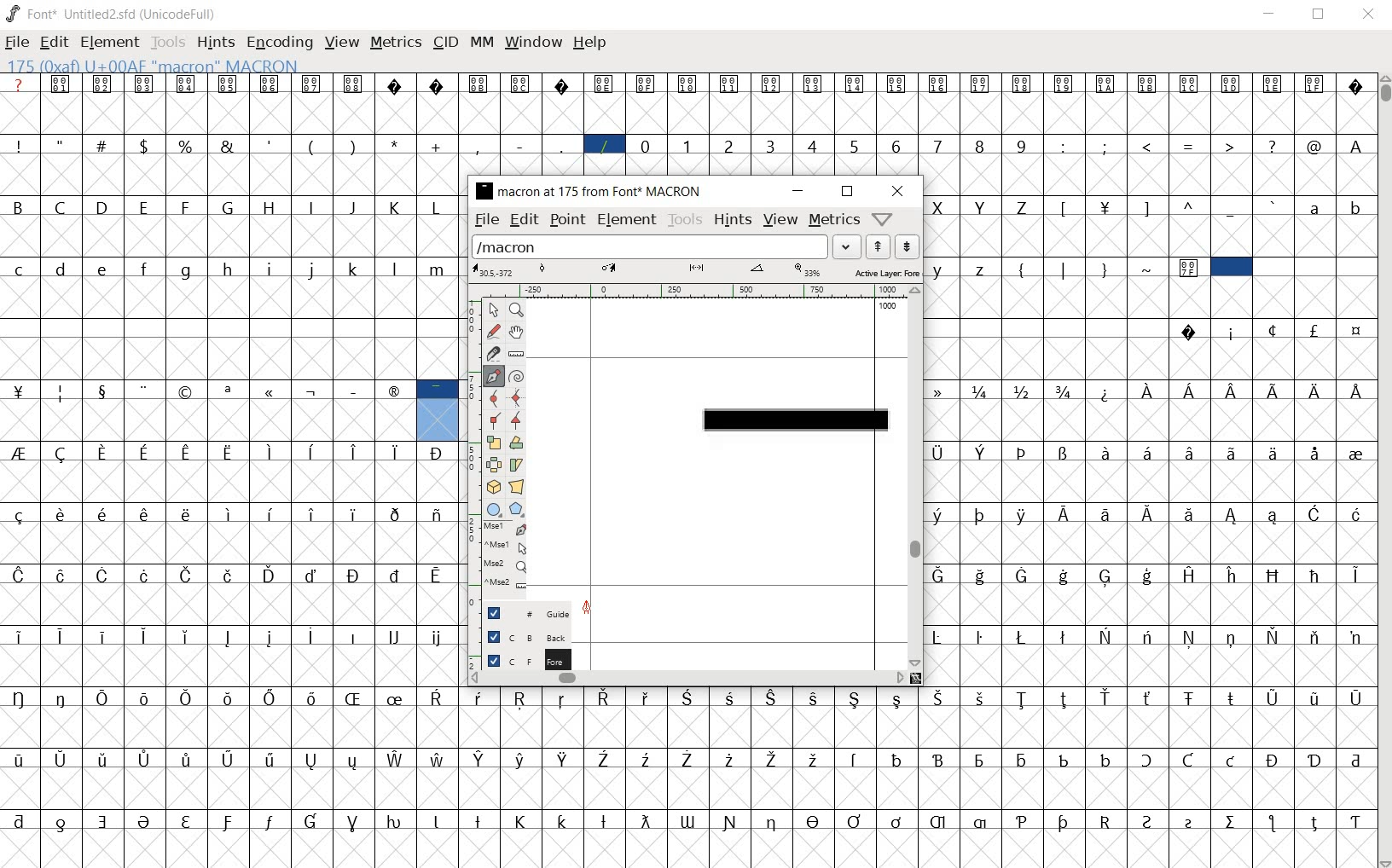  I want to click on 8, so click(982, 146).